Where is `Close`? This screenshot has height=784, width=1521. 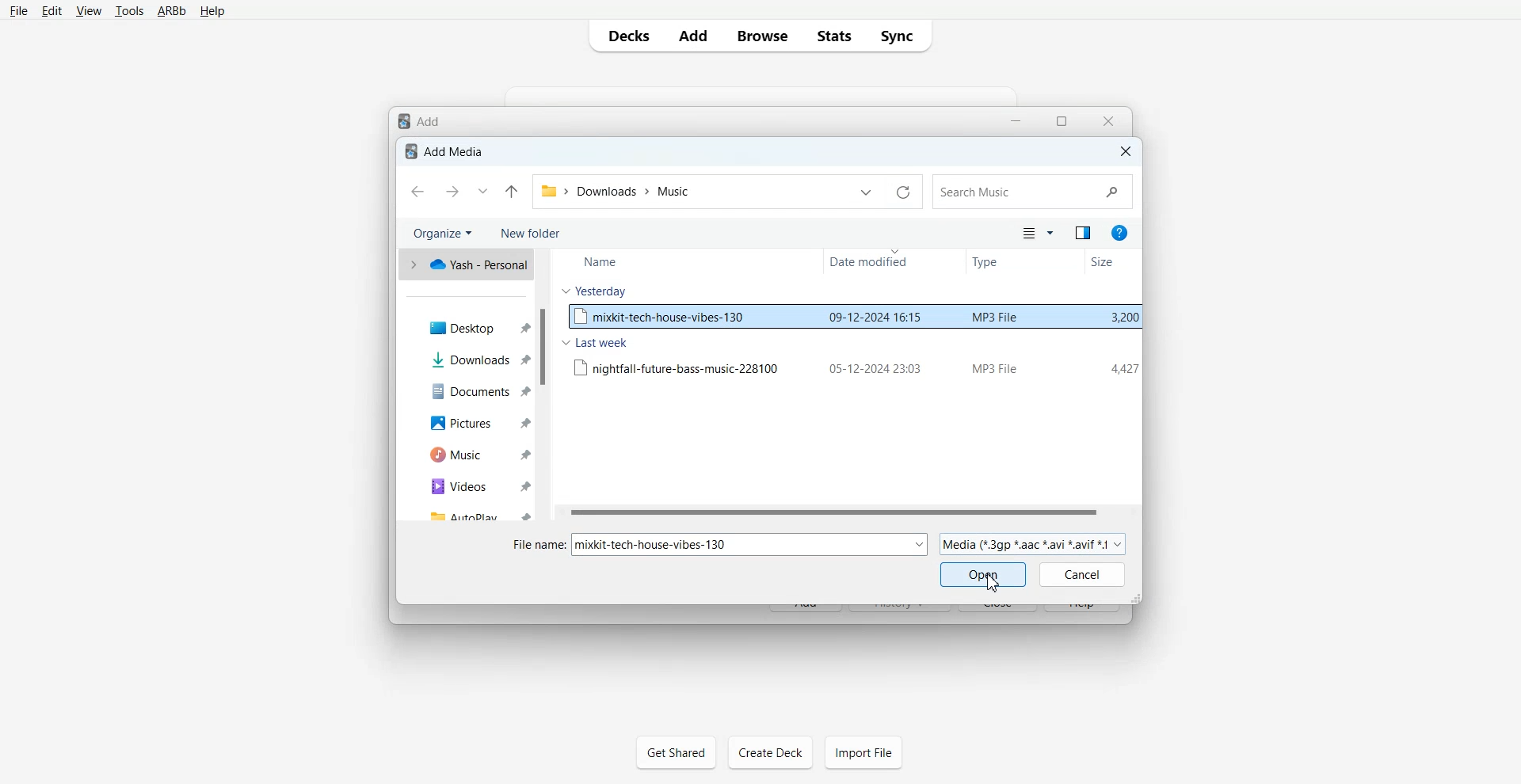 Close is located at coordinates (1124, 150).